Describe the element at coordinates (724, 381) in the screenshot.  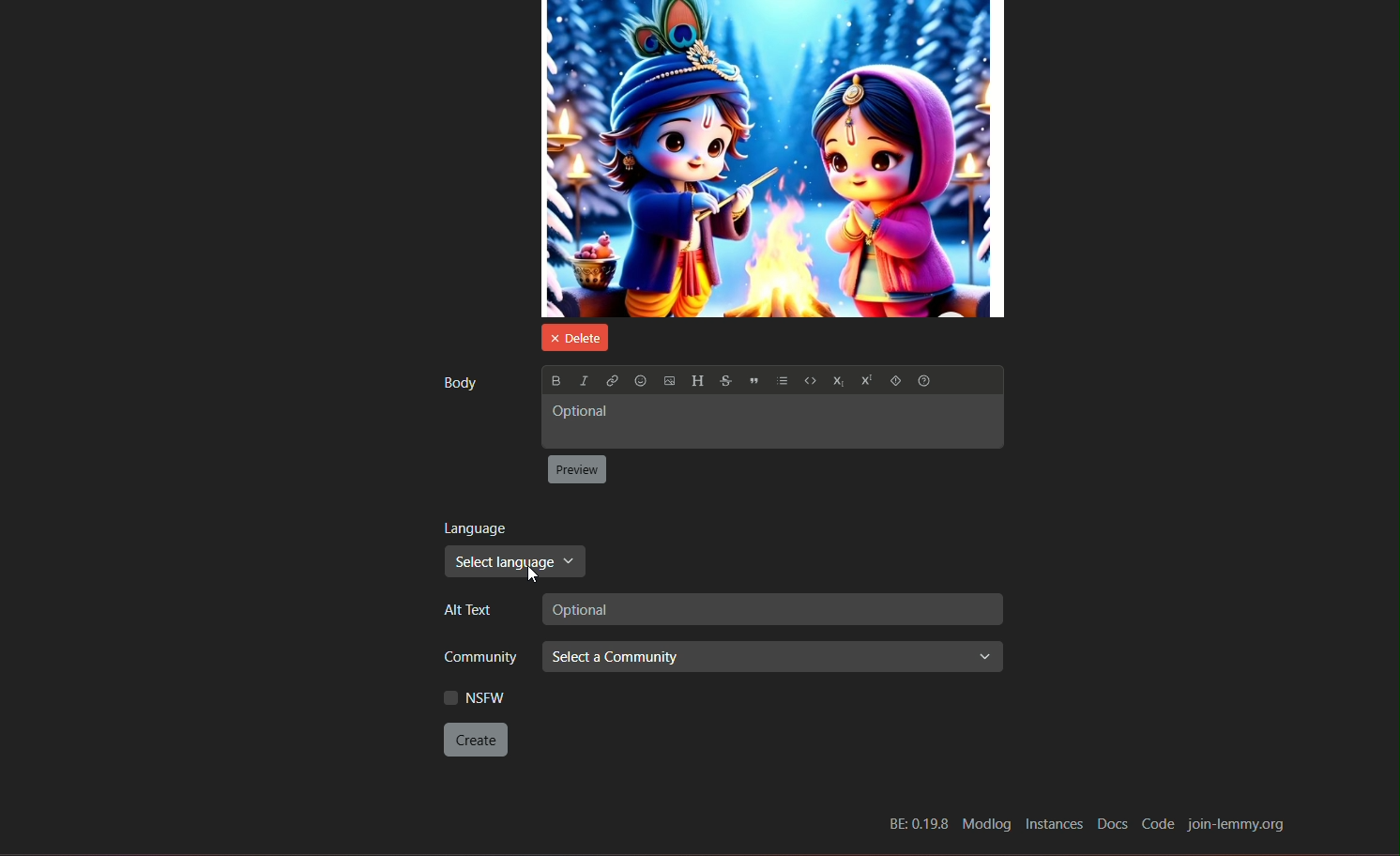
I see `strikethrough` at that location.